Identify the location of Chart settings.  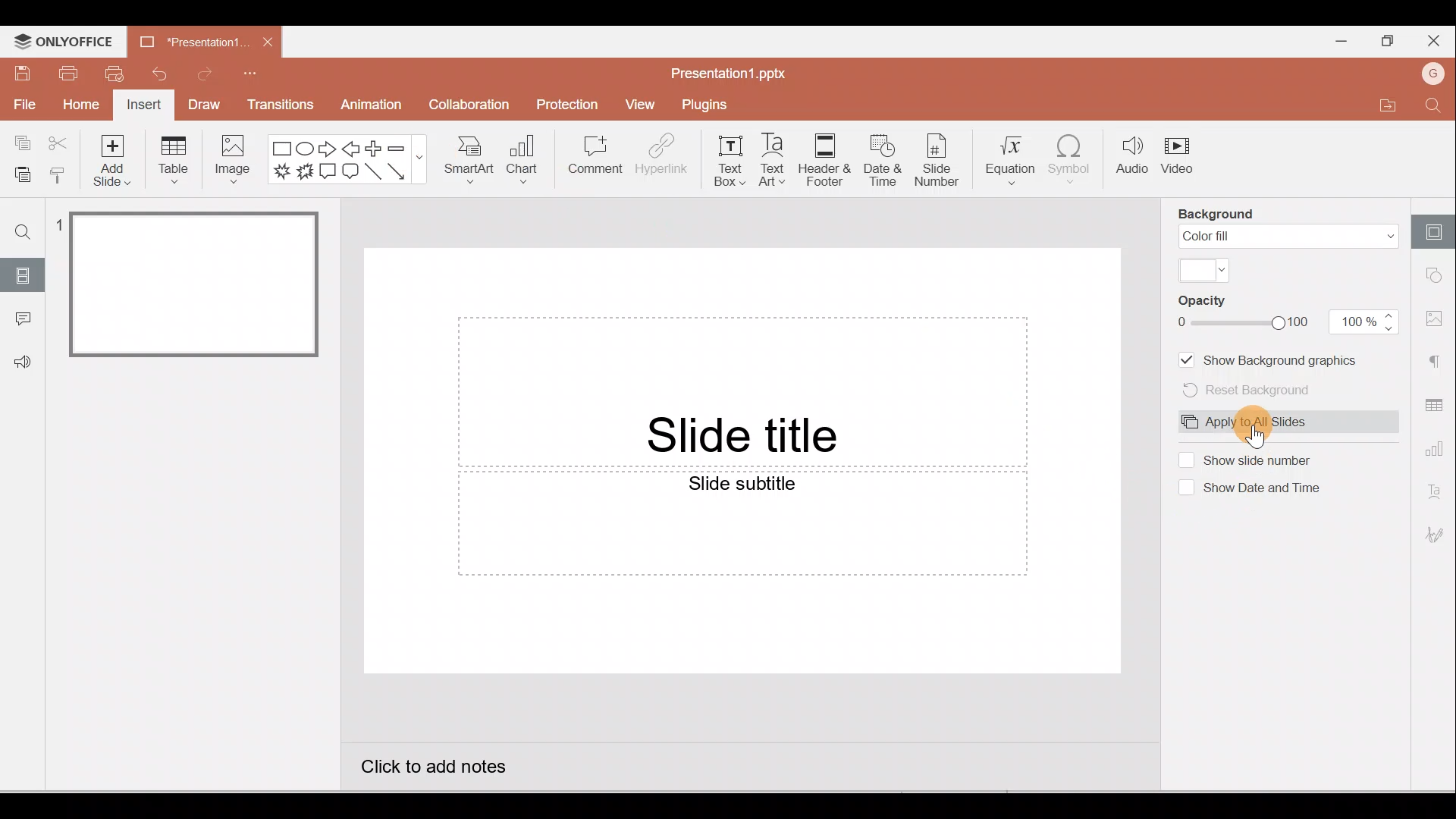
(1437, 452).